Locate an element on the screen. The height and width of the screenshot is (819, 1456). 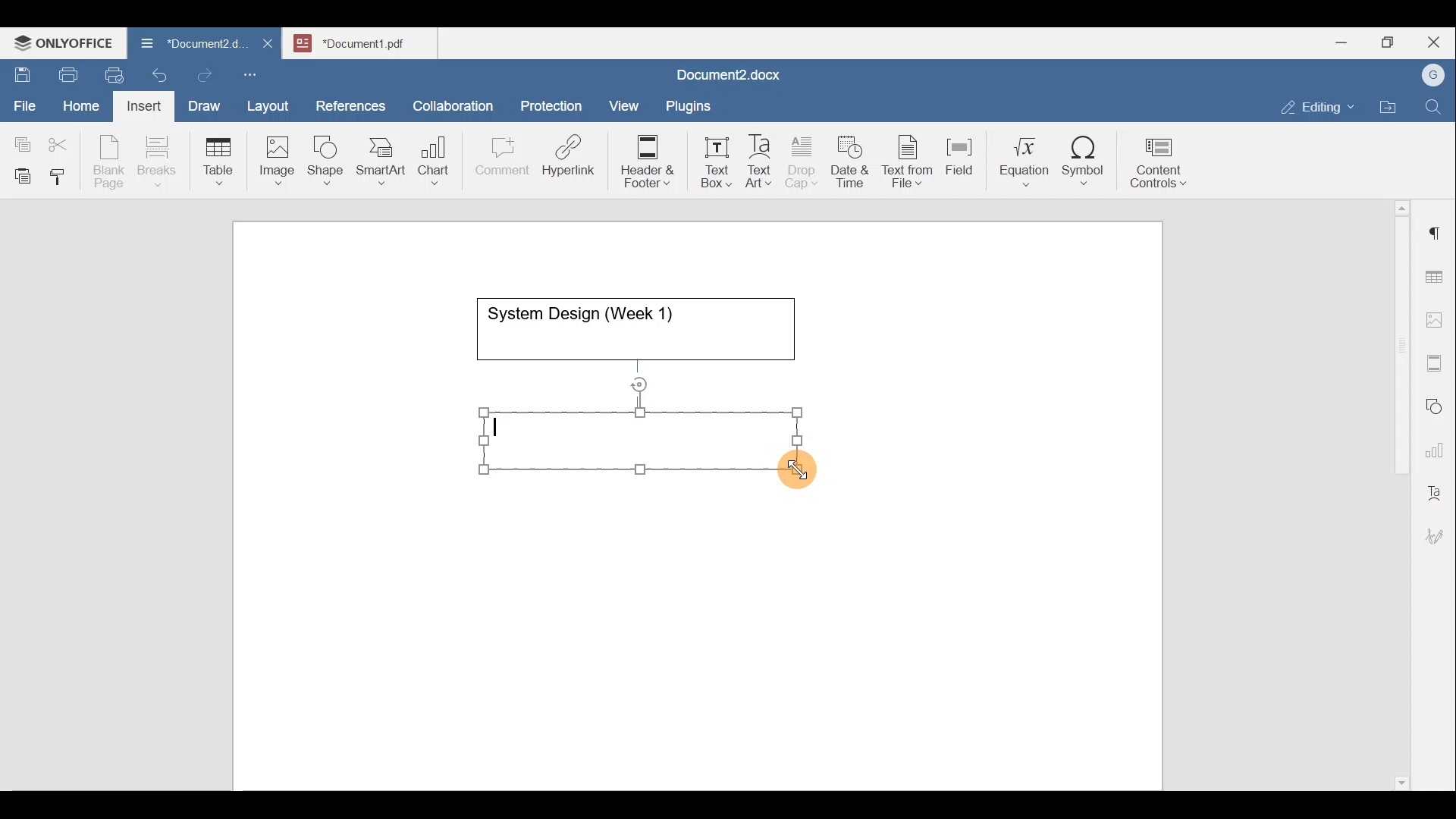
Text box is located at coordinates (706, 162).